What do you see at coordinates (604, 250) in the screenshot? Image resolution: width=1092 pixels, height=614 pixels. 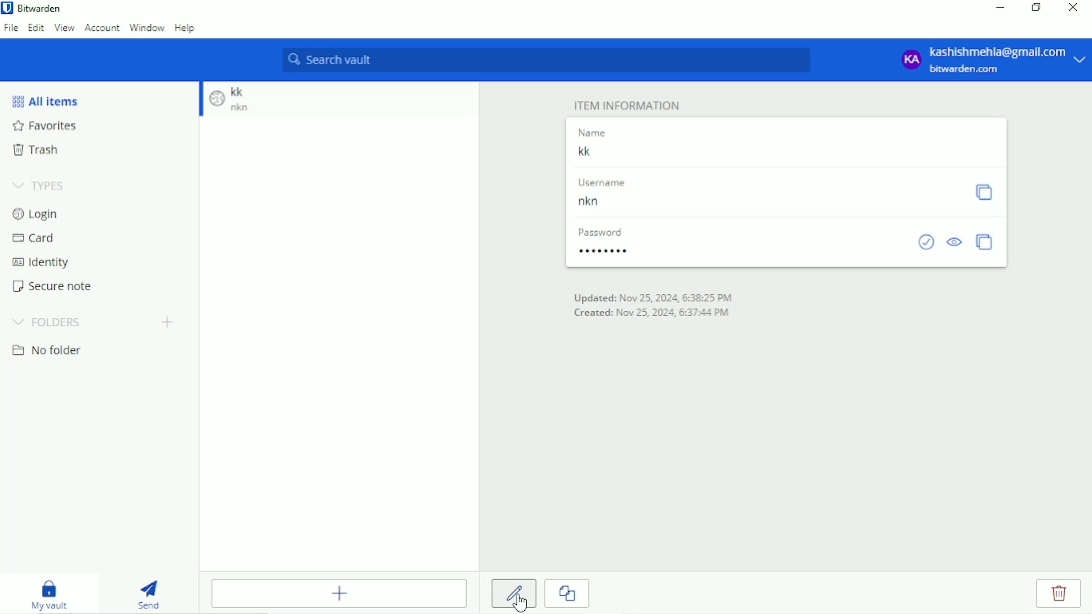 I see `Password` at bounding box center [604, 250].